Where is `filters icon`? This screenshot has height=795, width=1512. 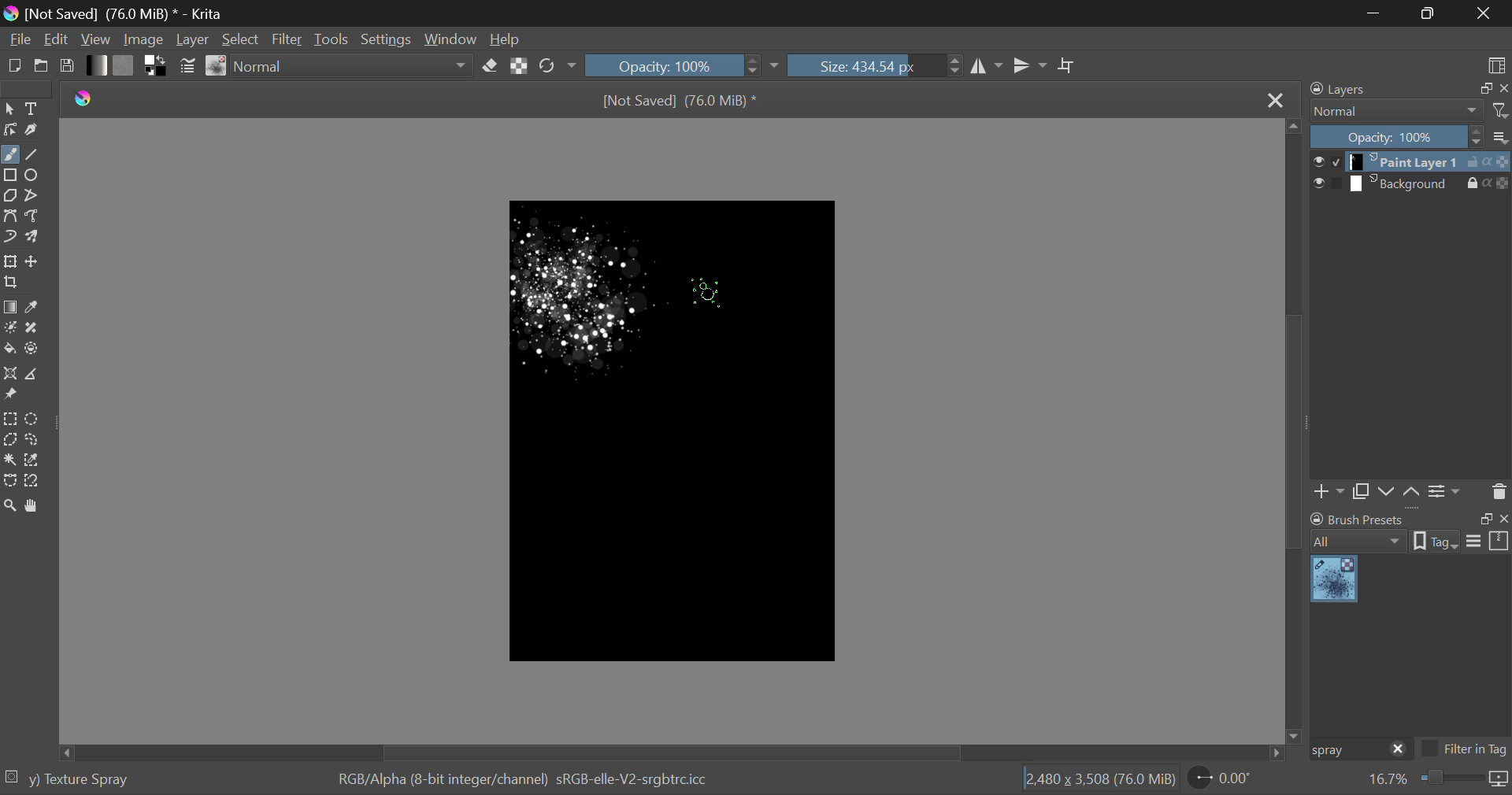 filters icon is located at coordinates (1501, 109).